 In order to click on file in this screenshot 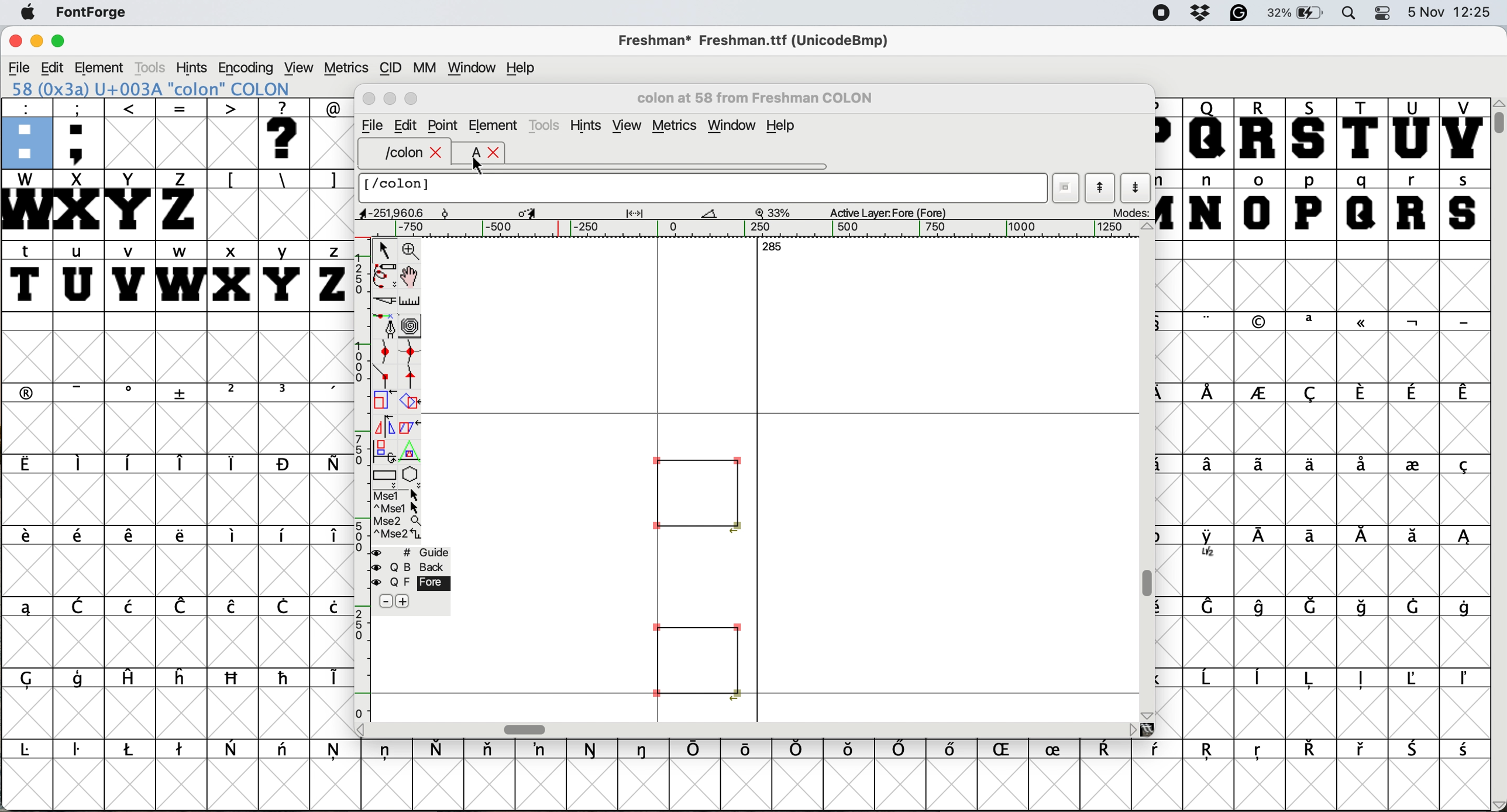, I will do `click(371, 124)`.